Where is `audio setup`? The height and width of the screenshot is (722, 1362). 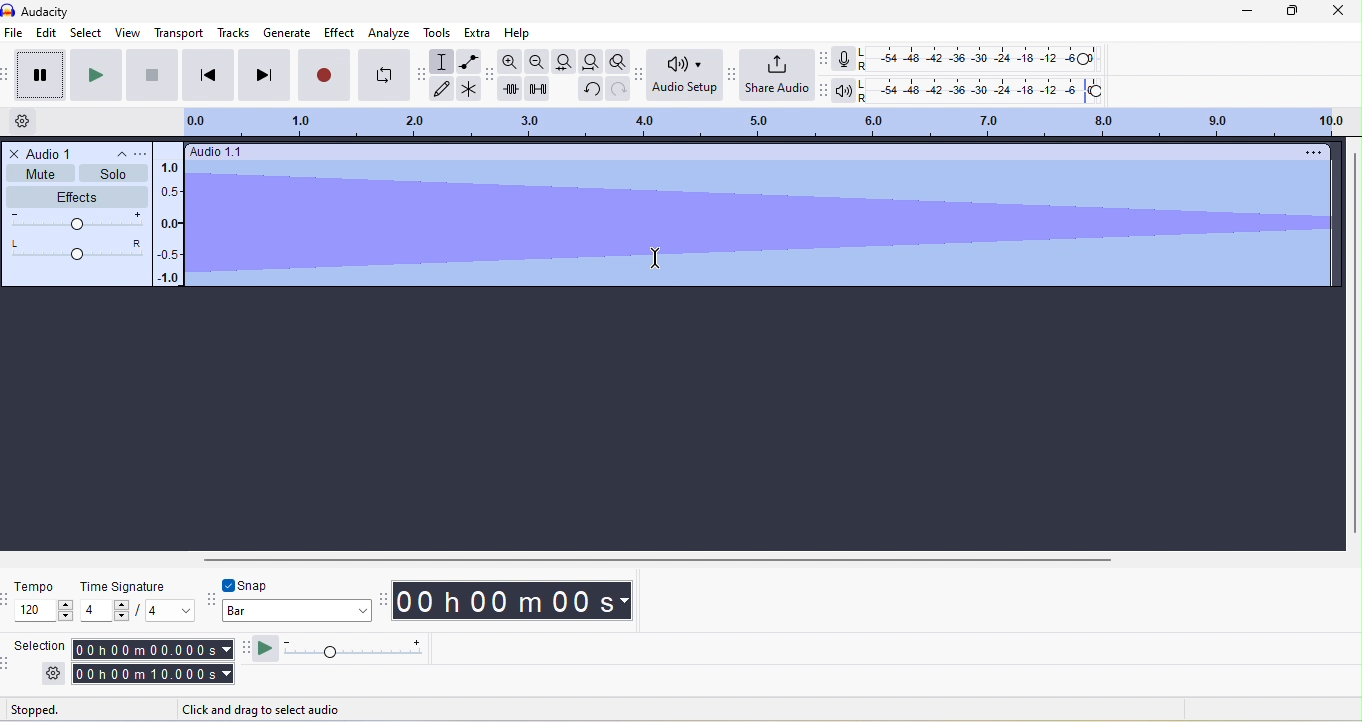 audio setup is located at coordinates (687, 76).